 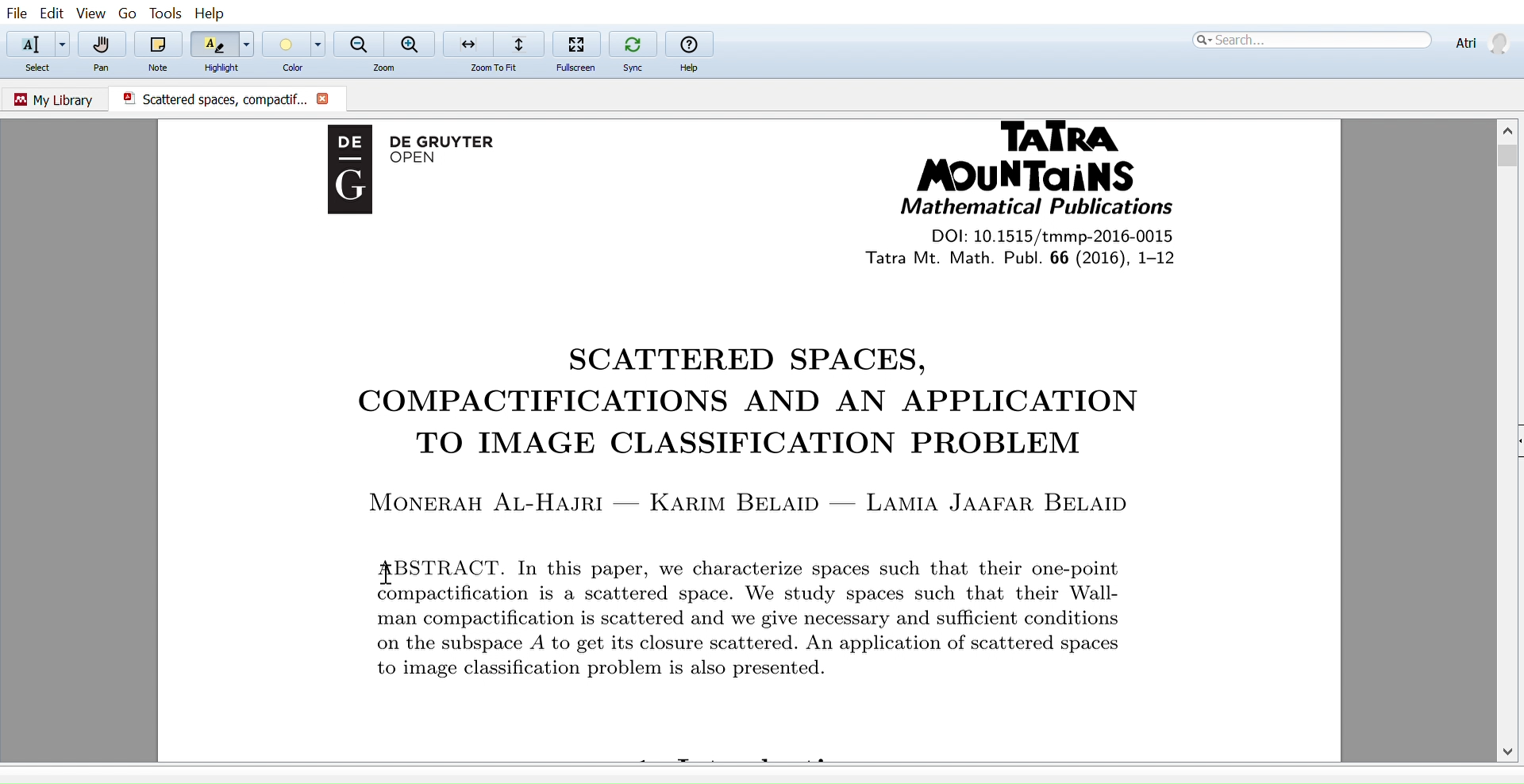 I want to click on ABSTRACT. In this paper, we characterize spaces such that their one-point, so click(x=777, y=564).